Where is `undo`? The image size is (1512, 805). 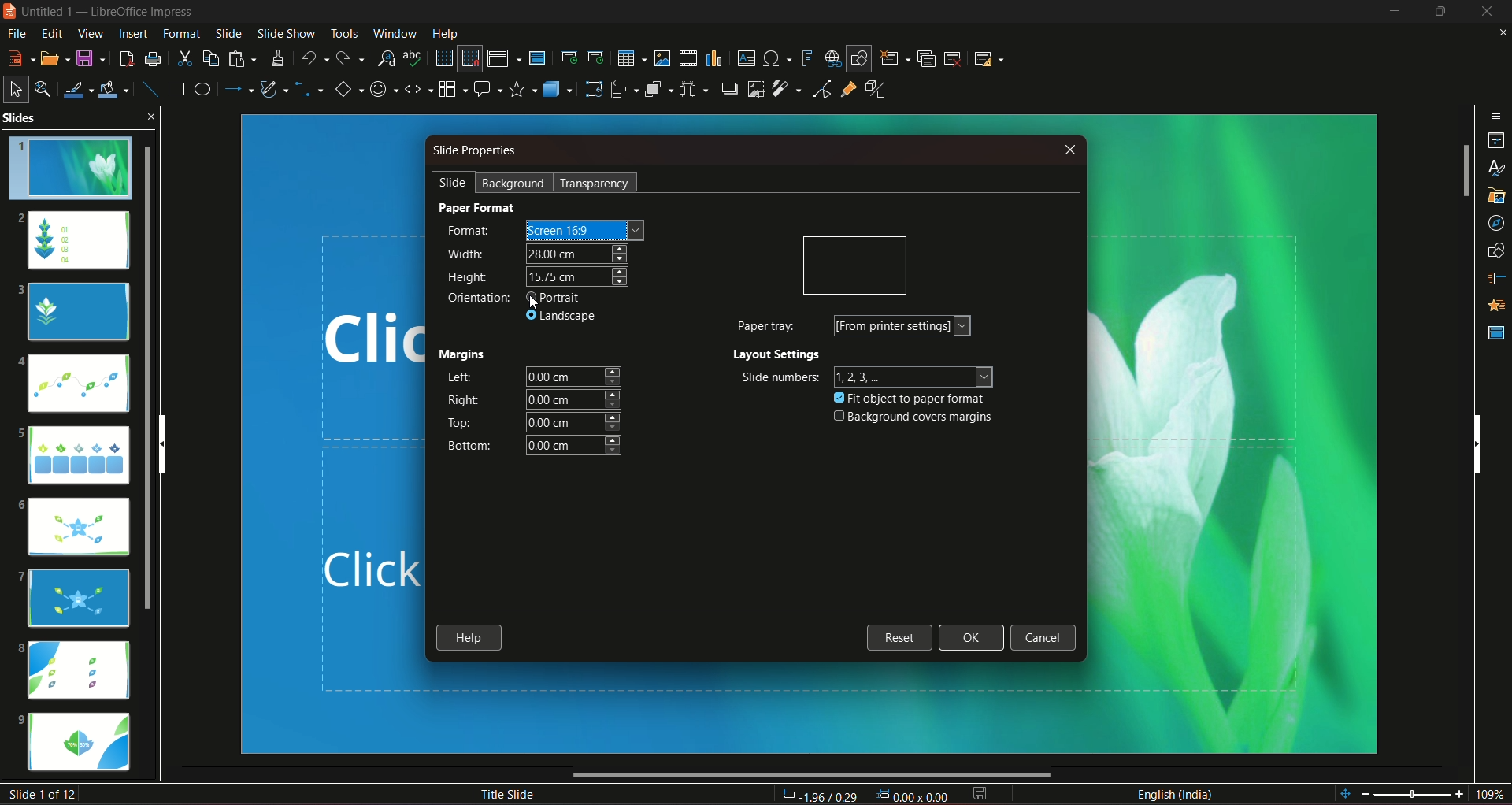
undo is located at coordinates (314, 57).